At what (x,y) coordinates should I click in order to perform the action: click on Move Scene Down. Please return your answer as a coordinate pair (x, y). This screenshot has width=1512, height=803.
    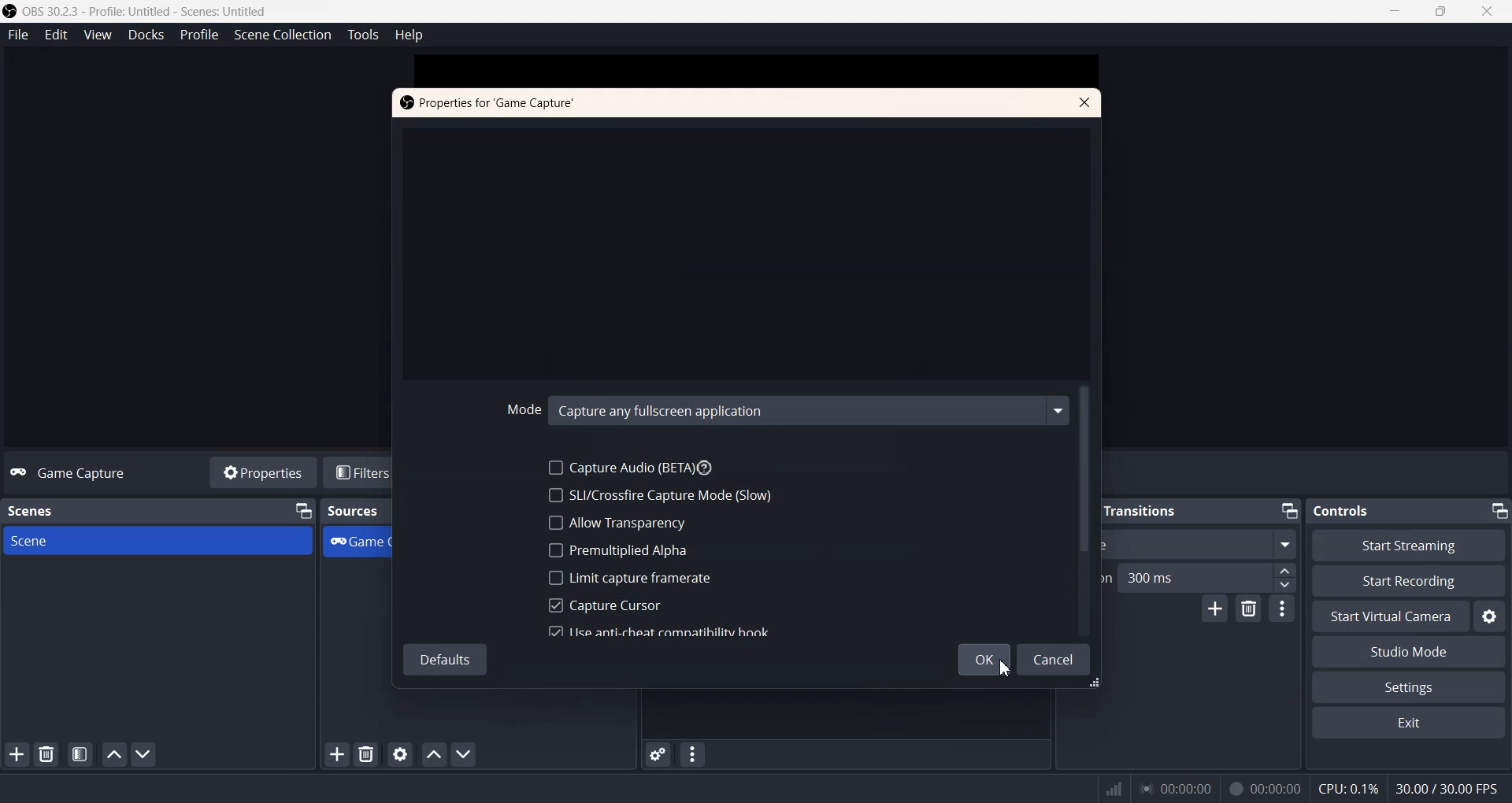
    Looking at the image, I should click on (145, 754).